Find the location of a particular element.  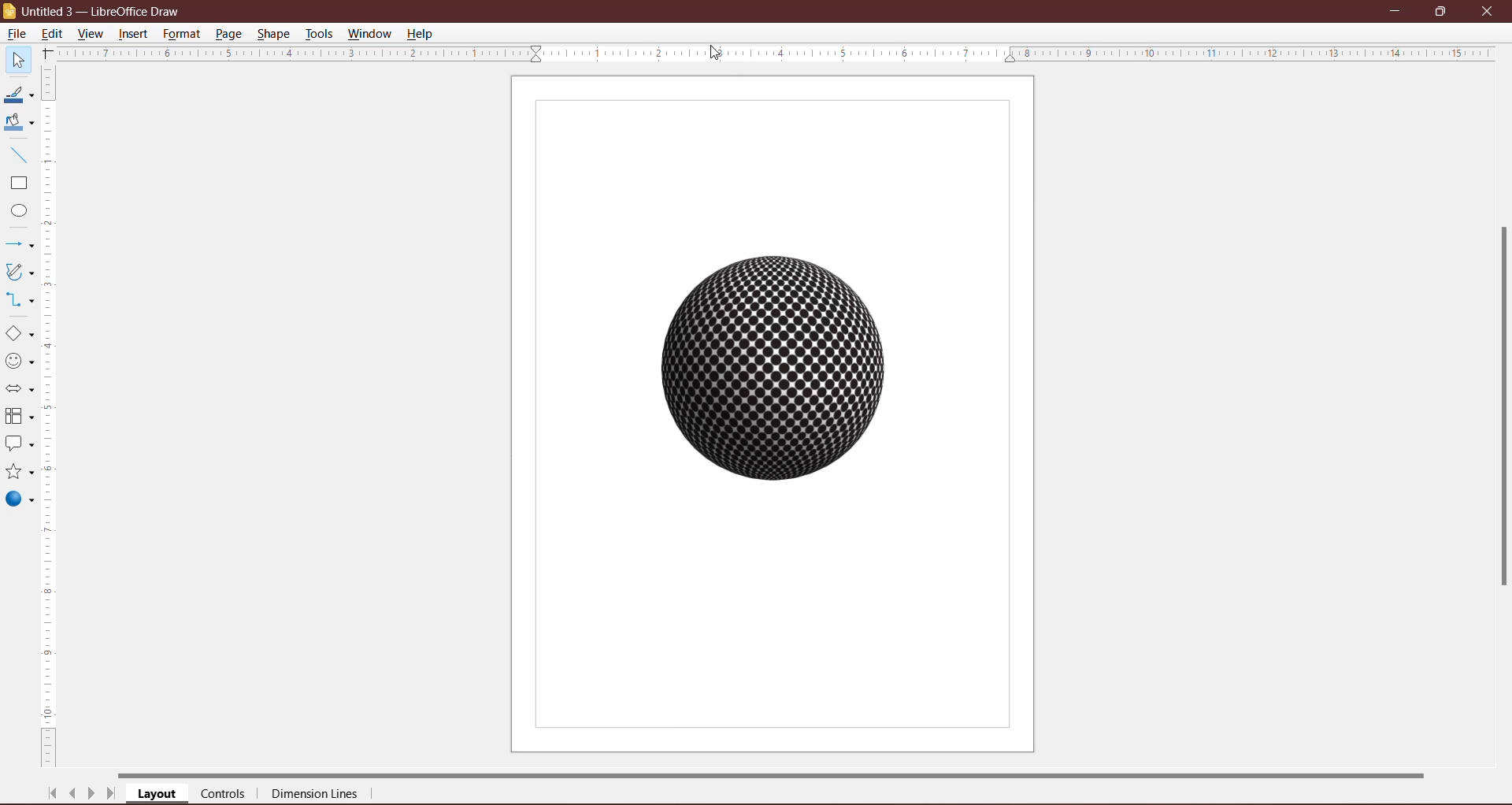

Scroll to previous page is located at coordinates (74, 796).